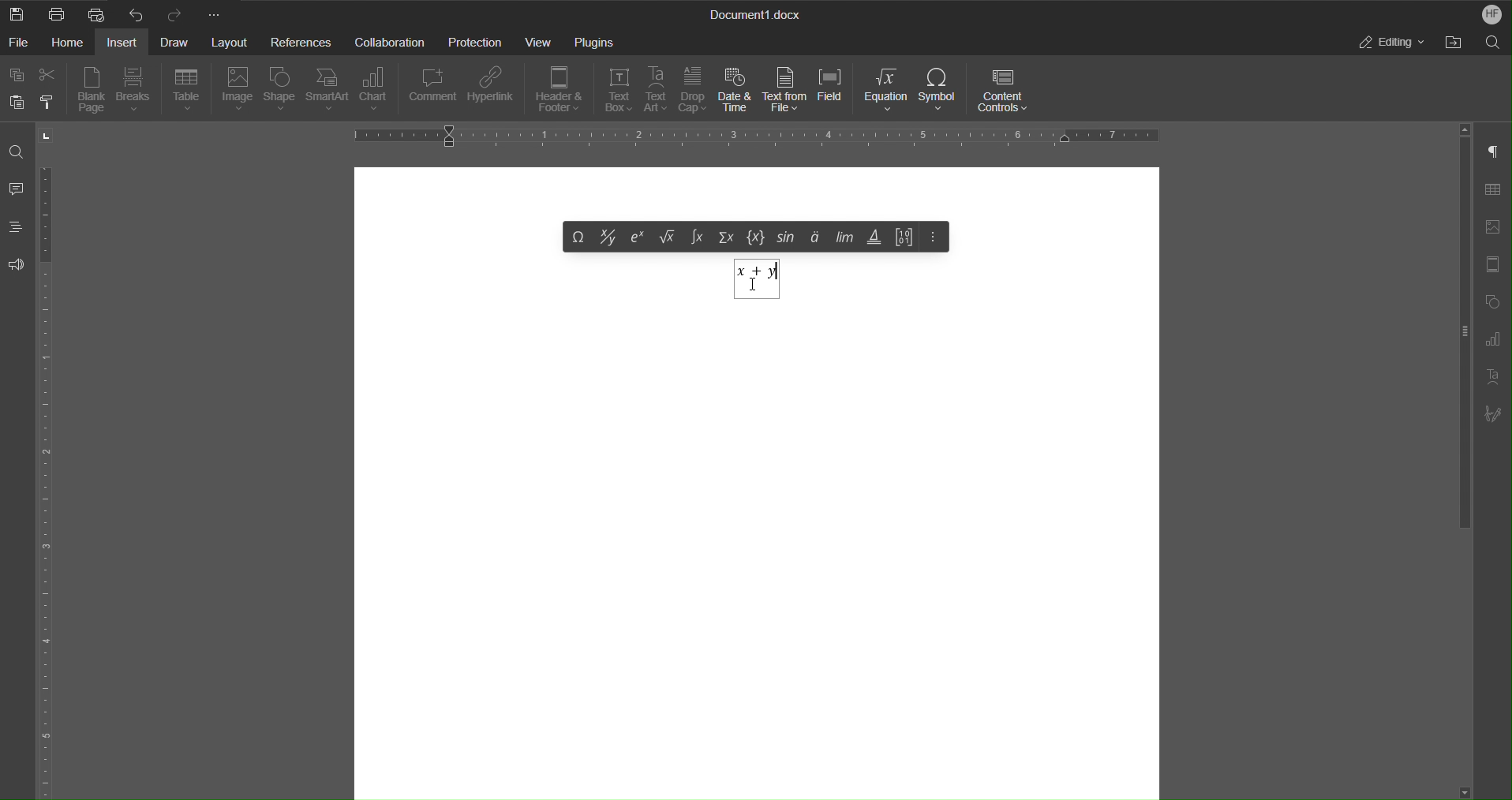  Describe the element at coordinates (1491, 151) in the screenshot. I see `Non-Printing Characters` at that location.